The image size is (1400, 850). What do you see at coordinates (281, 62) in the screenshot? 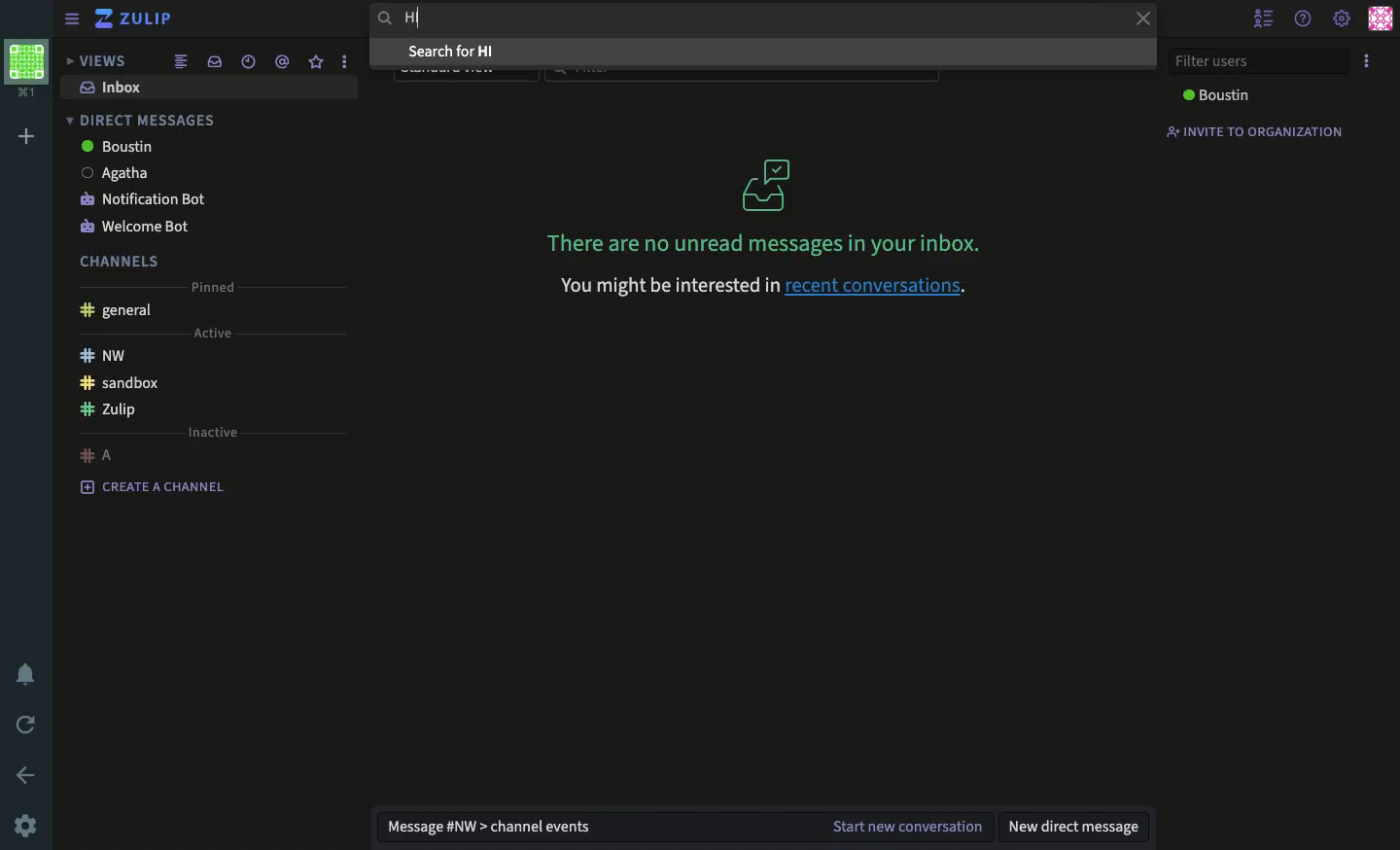
I see `mention` at bounding box center [281, 62].